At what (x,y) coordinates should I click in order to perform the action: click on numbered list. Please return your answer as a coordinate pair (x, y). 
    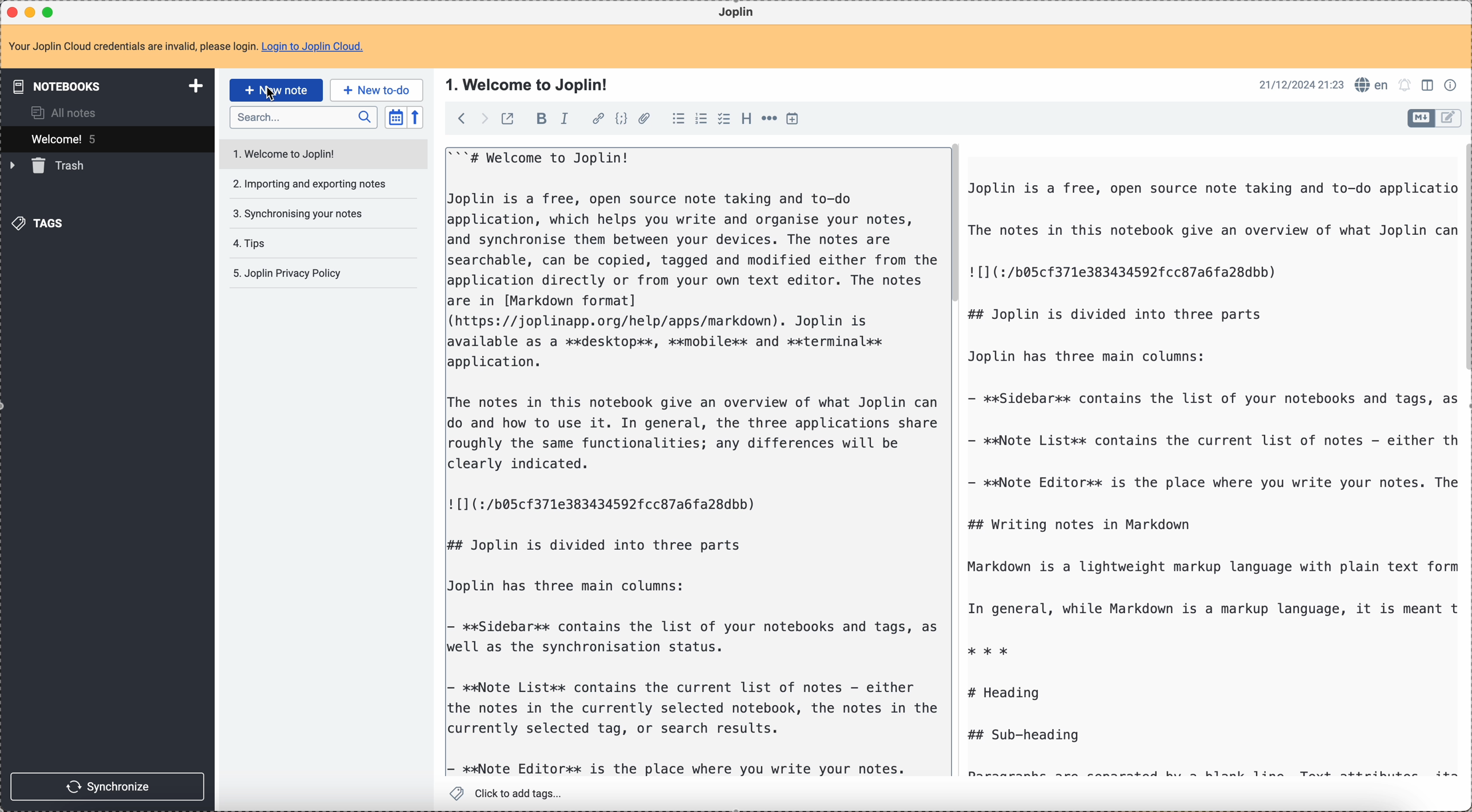
    Looking at the image, I should click on (701, 120).